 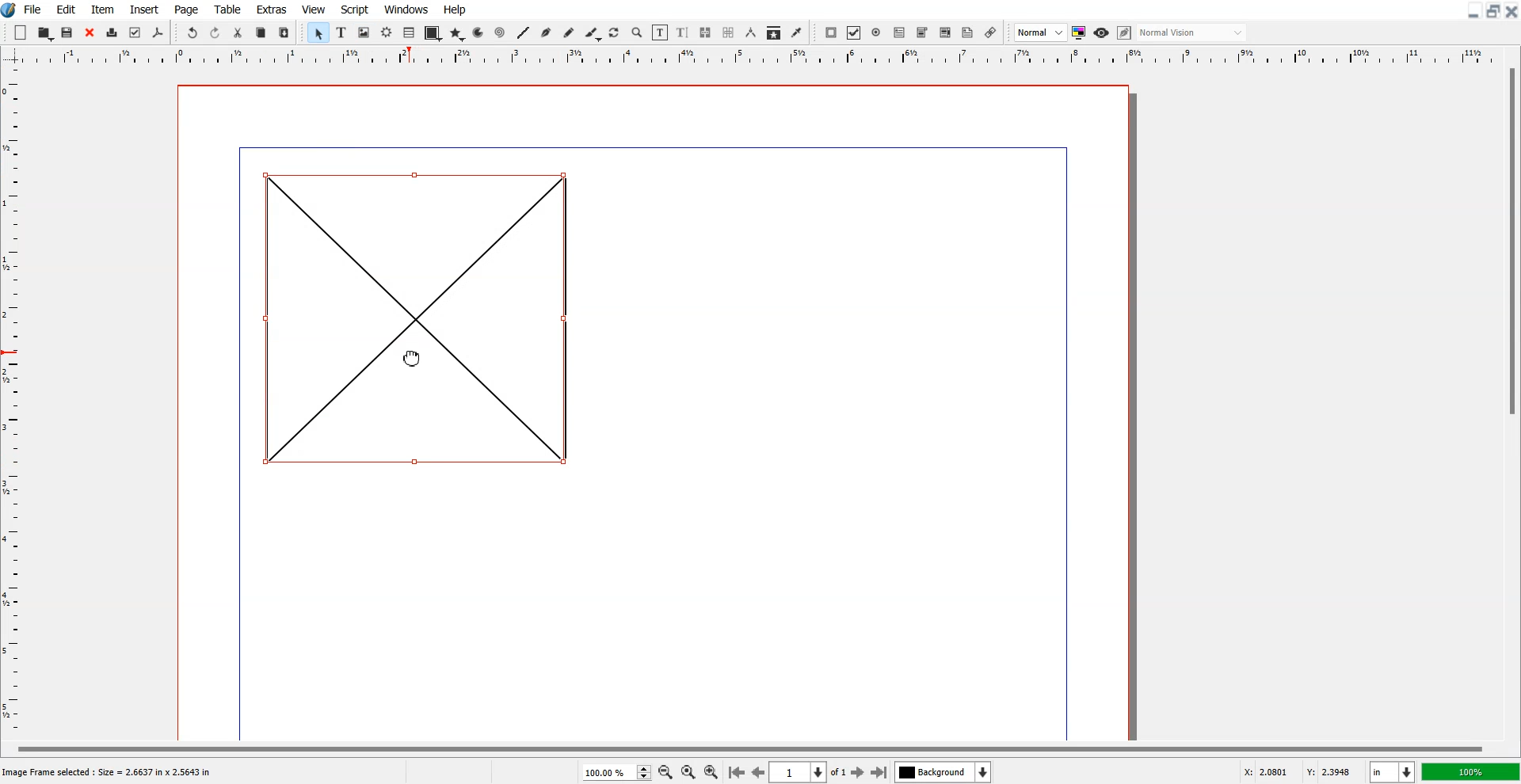 I want to click on Horizontal scroll bar, so click(x=746, y=747).